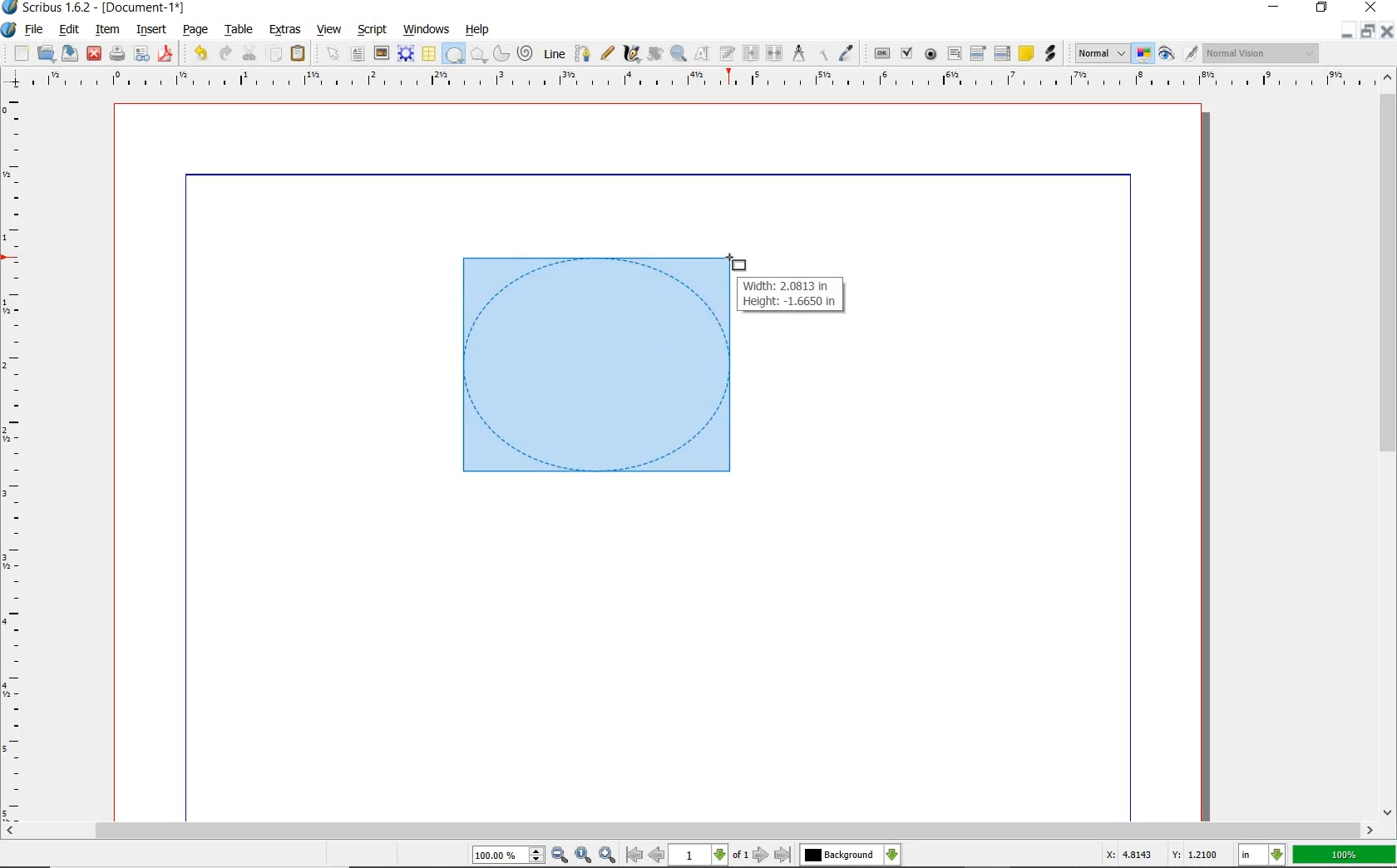 This screenshot has width=1397, height=868. I want to click on TEXT ANNOATATION, so click(1025, 52).